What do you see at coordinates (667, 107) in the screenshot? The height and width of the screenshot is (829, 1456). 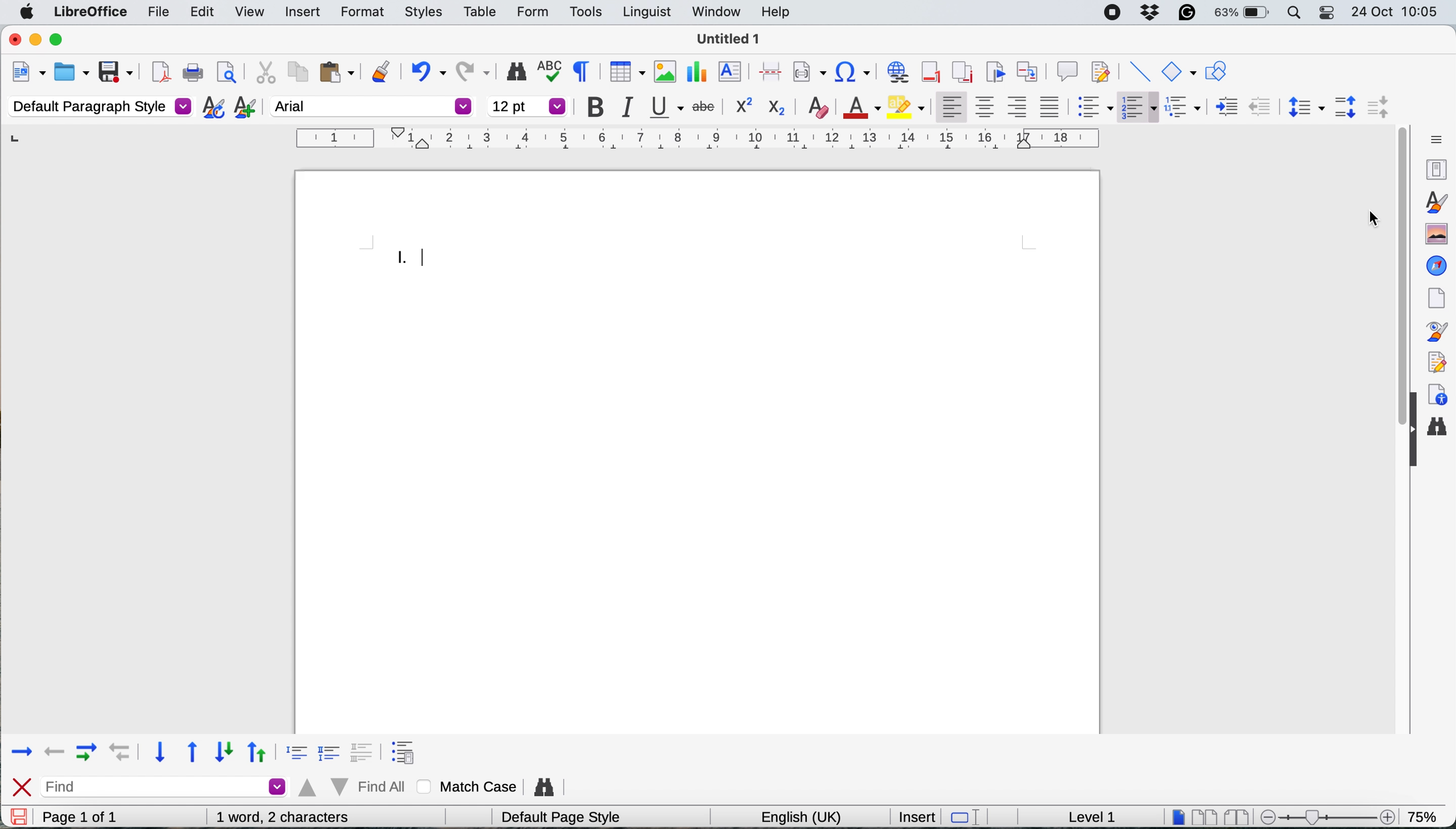 I see `underline` at bounding box center [667, 107].